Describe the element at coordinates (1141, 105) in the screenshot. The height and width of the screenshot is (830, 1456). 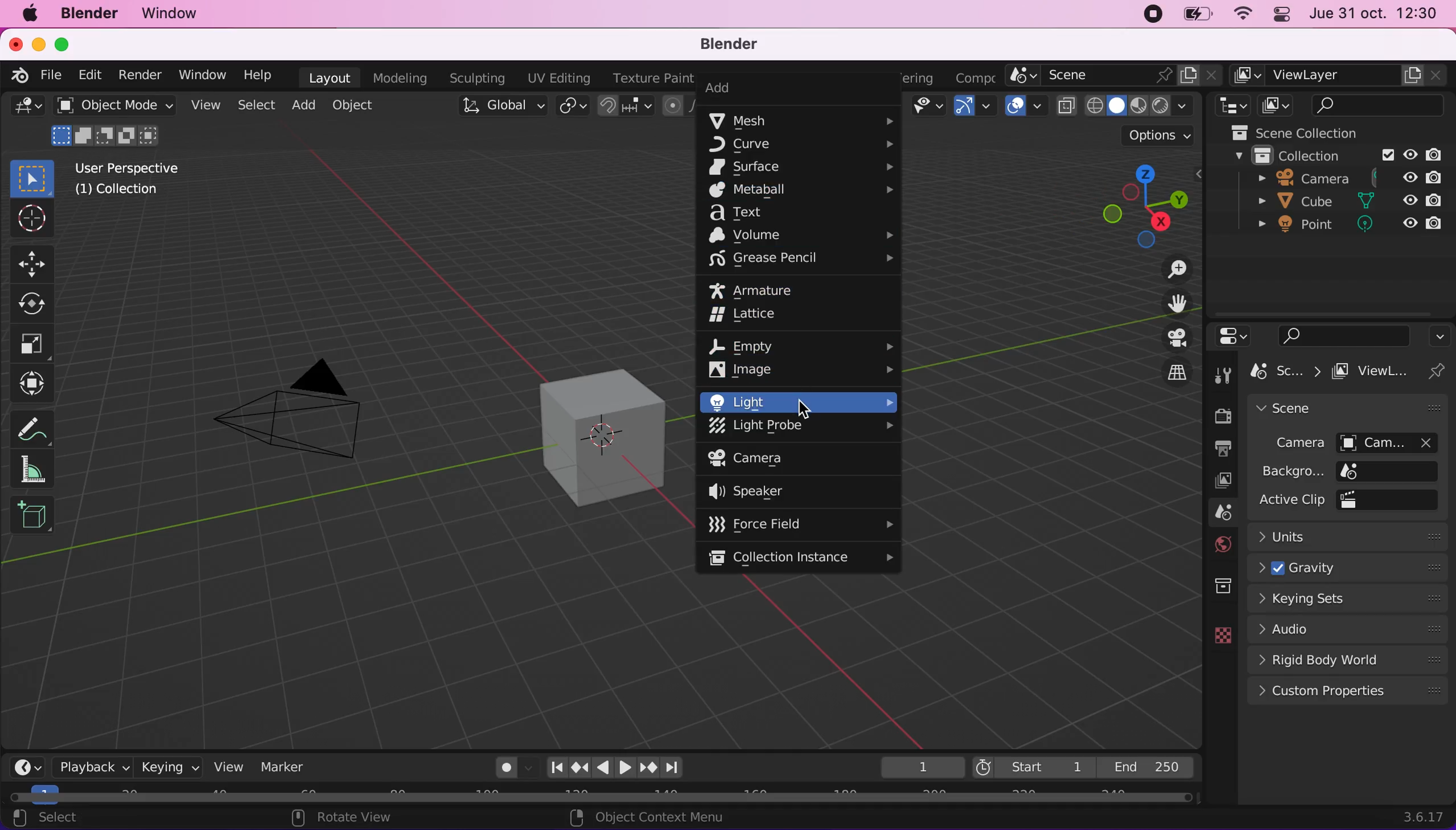
I see `shading` at that location.